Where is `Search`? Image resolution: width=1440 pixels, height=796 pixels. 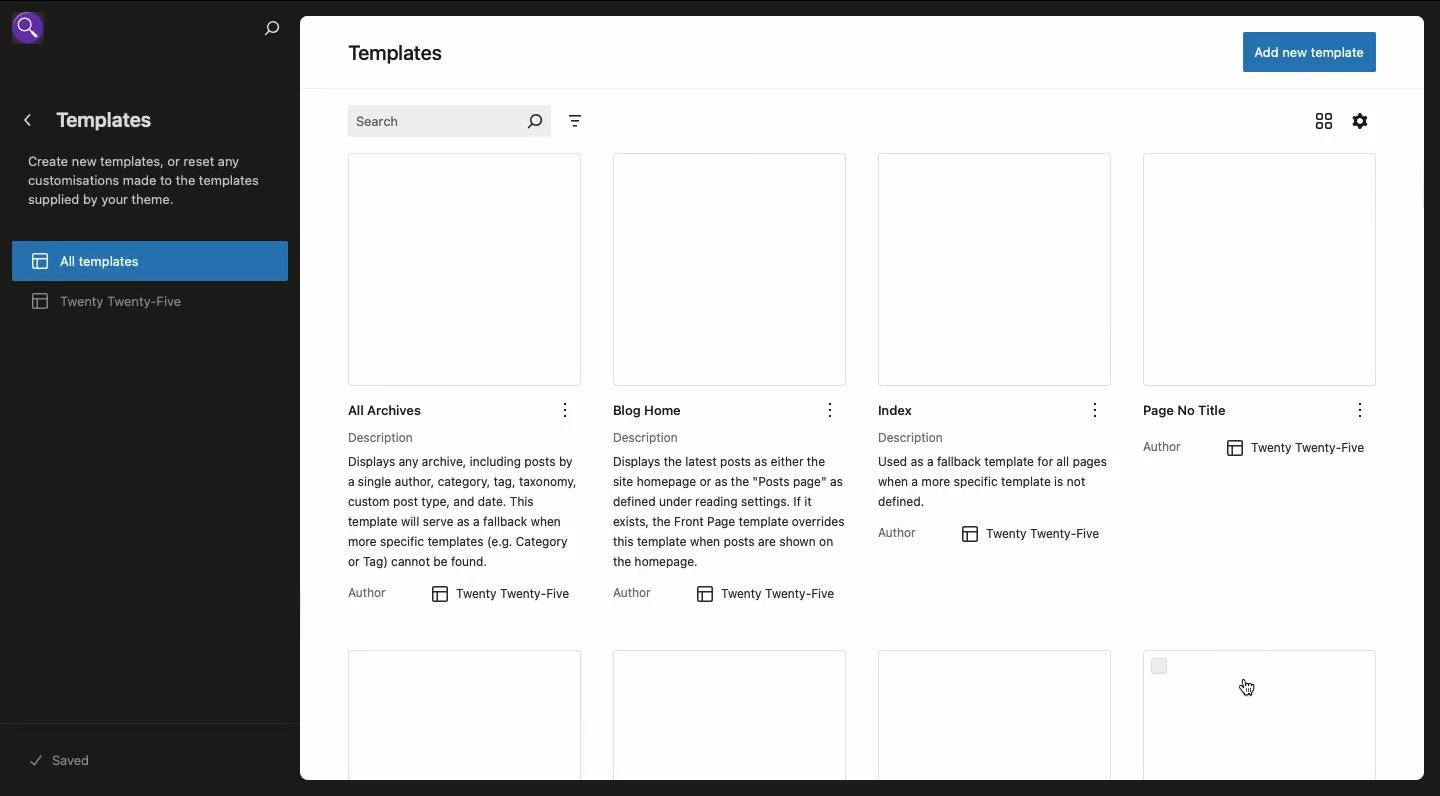
Search is located at coordinates (448, 123).